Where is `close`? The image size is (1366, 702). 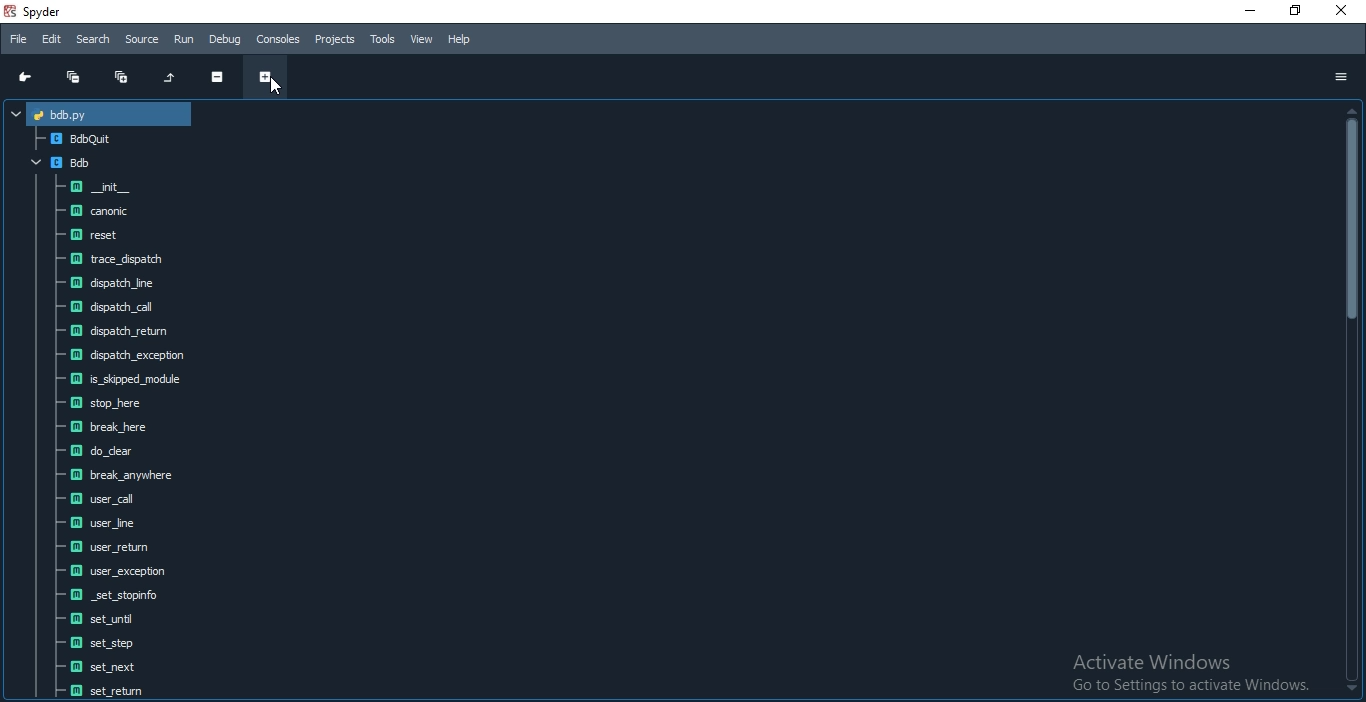 close is located at coordinates (1343, 13).